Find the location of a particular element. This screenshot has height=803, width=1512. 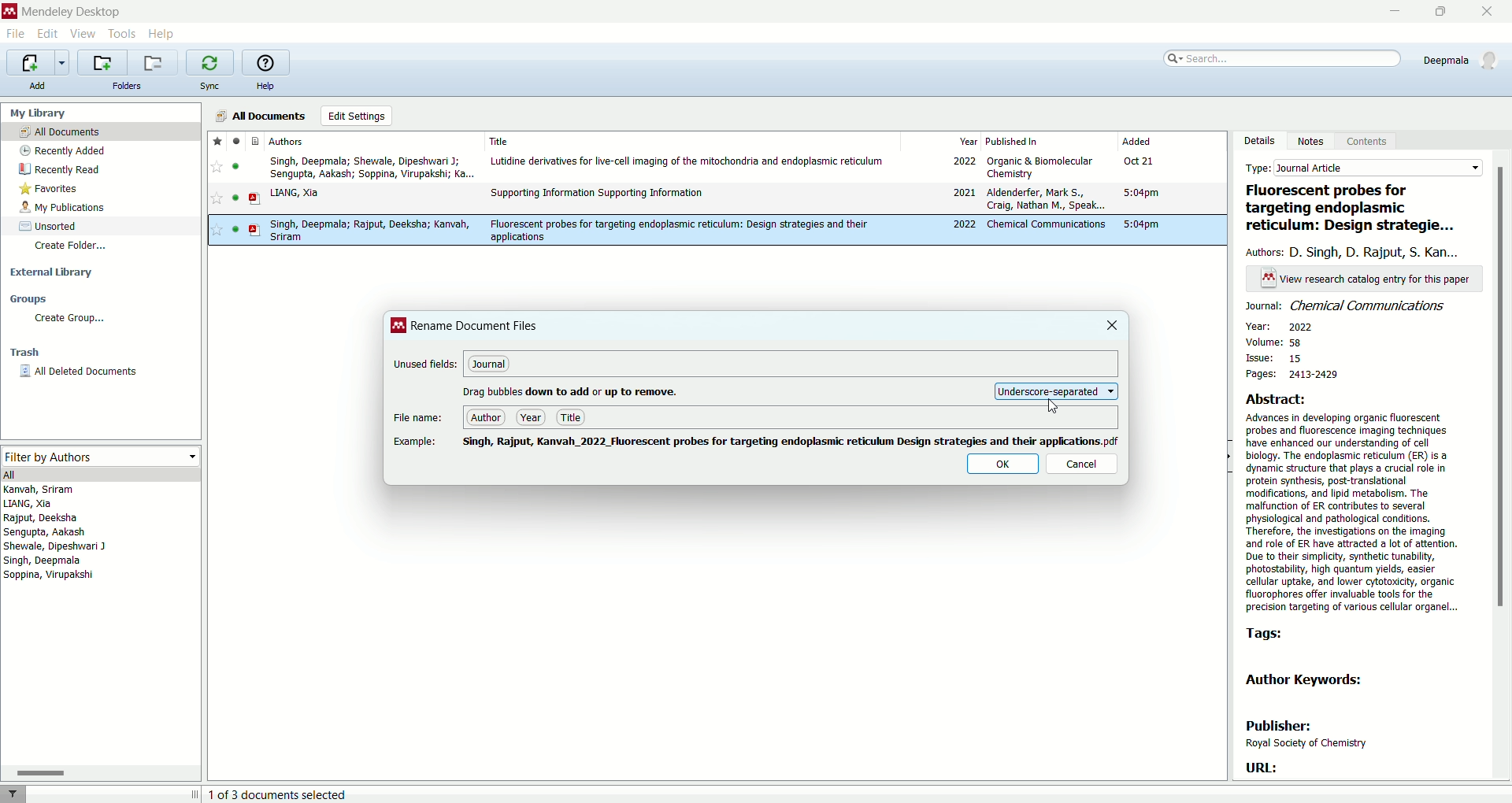

logo is located at coordinates (399, 325).